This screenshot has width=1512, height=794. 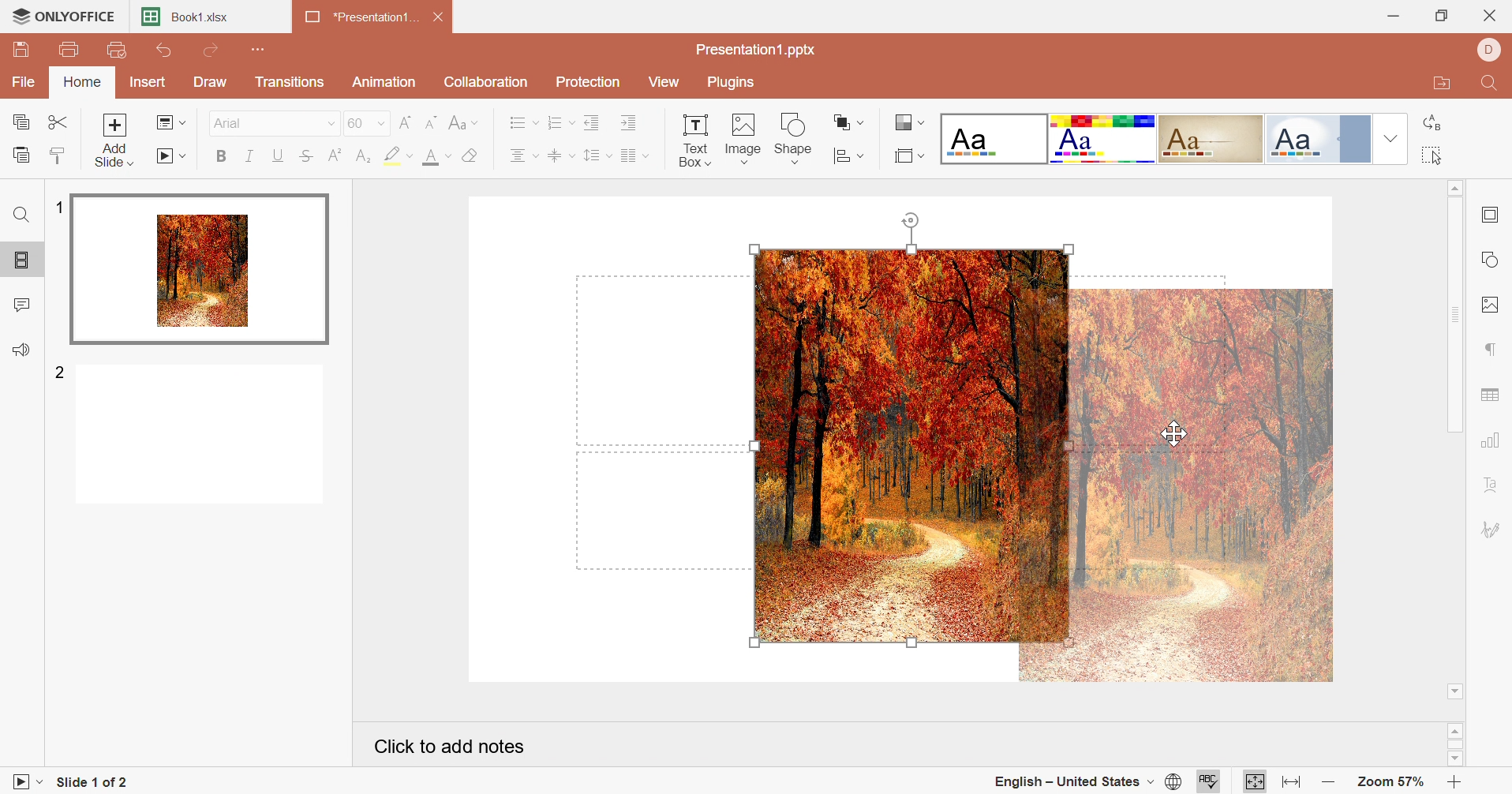 What do you see at coordinates (336, 158) in the screenshot?
I see `Superscript` at bounding box center [336, 158].